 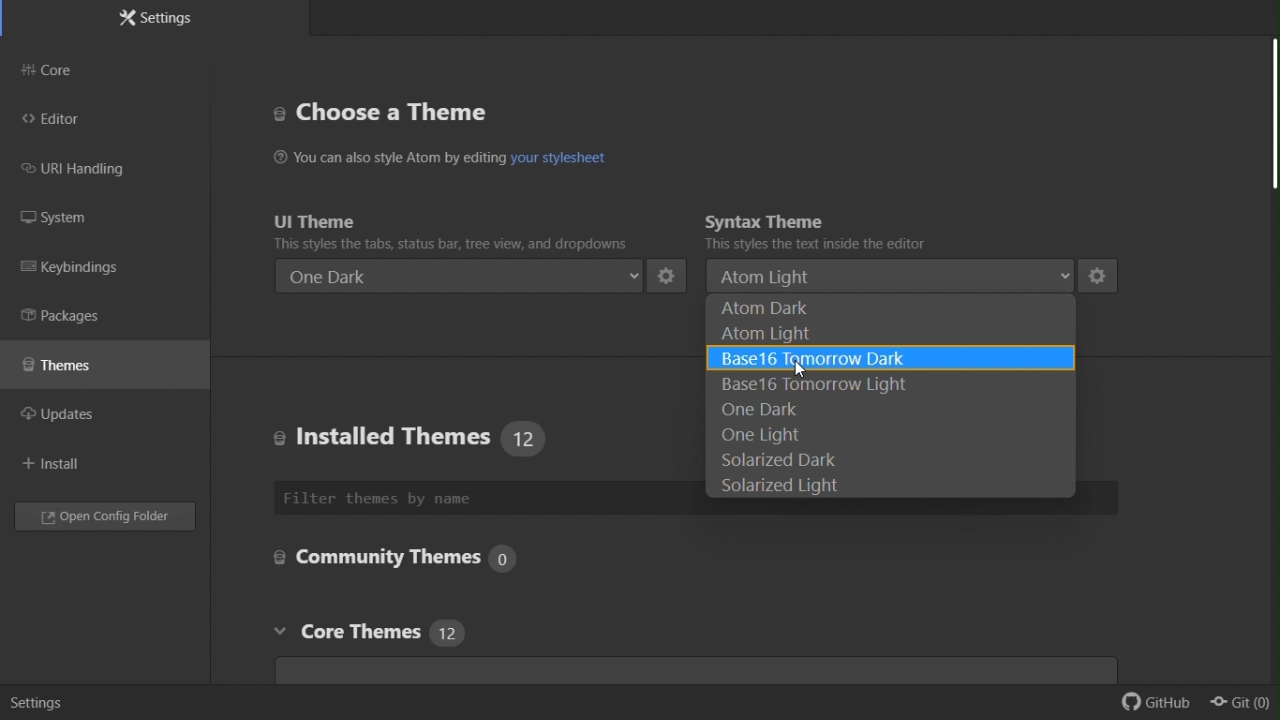 What do you see at coordinates (428, 434) in the screenshot?
I see `Installed themes` at bounding box center [428, 434].